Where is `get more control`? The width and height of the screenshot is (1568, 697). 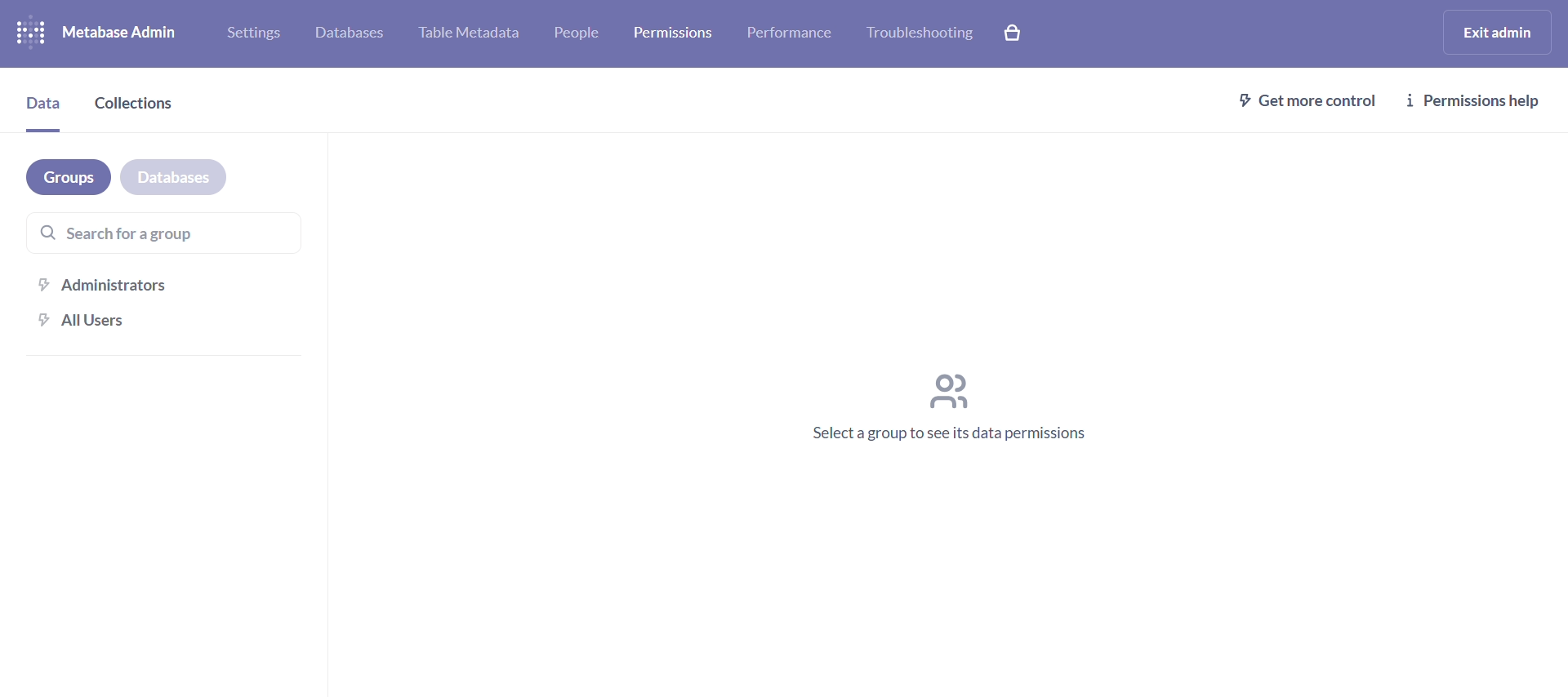 get more control is located at coordinates (1304, 100).